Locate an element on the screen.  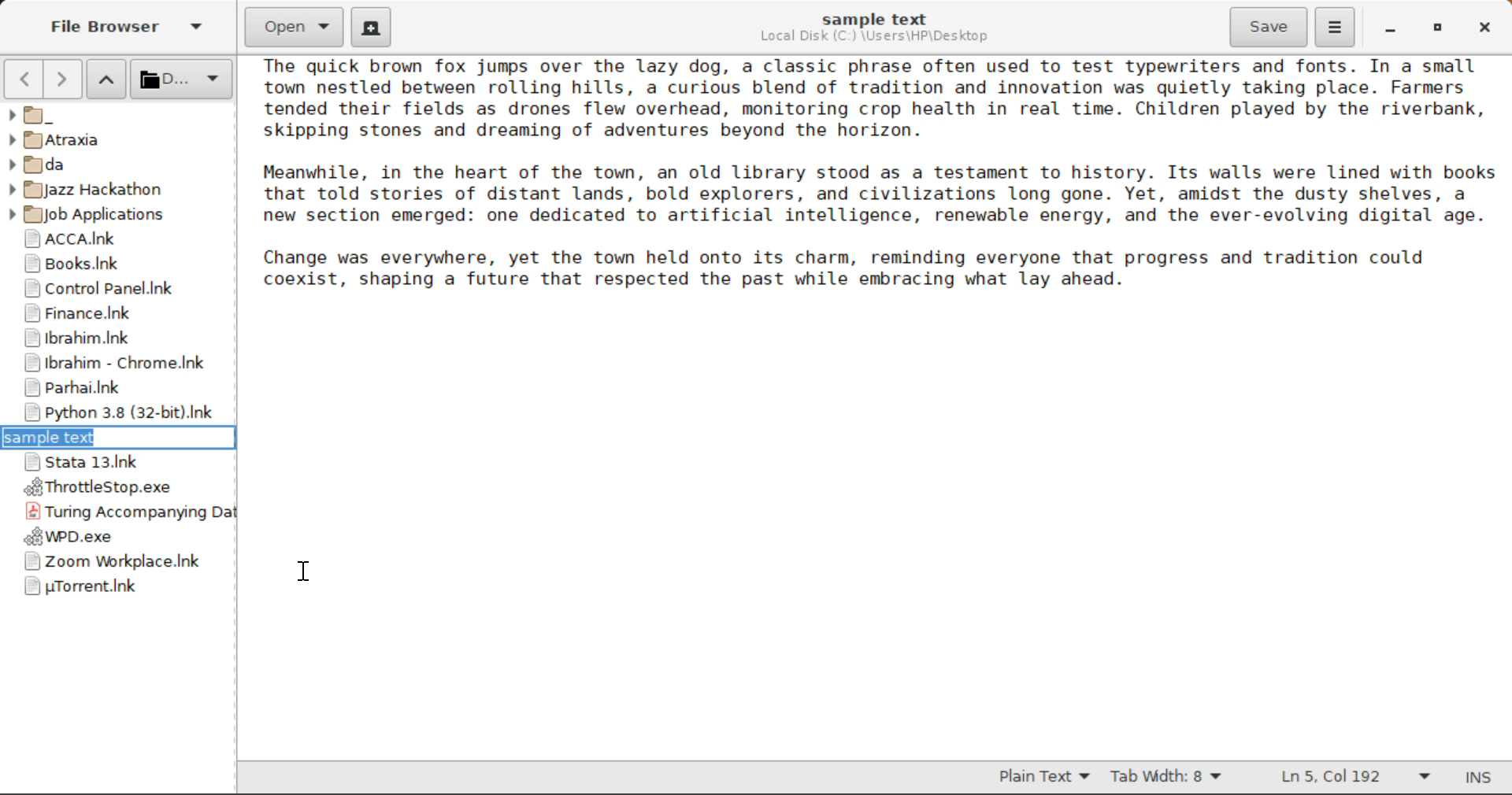
Atraxia Folder is located at coordinates (117, 139).